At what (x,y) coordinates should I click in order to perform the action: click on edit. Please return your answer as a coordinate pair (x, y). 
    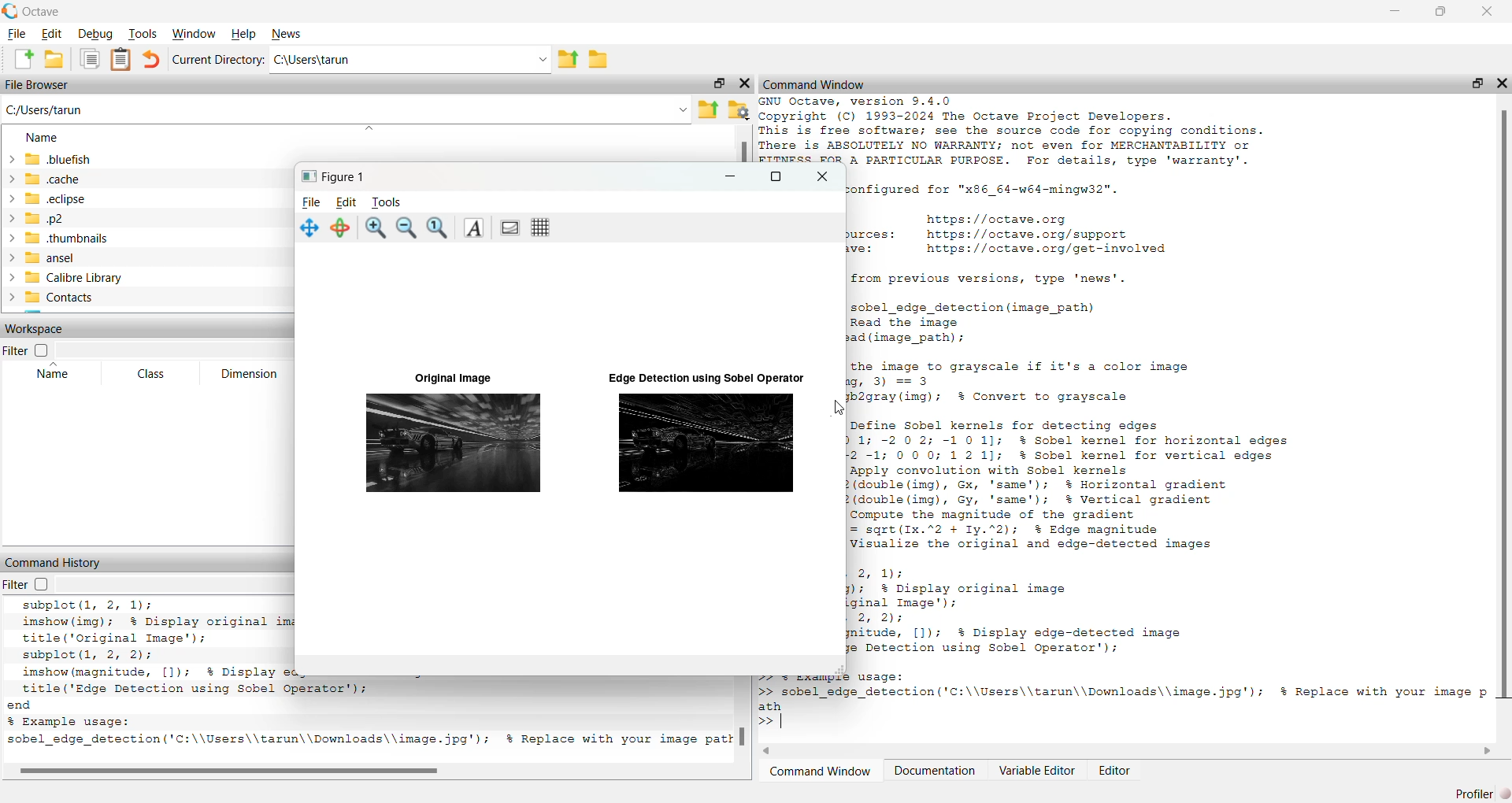
    Looking at the image, I should click on (349, 200).